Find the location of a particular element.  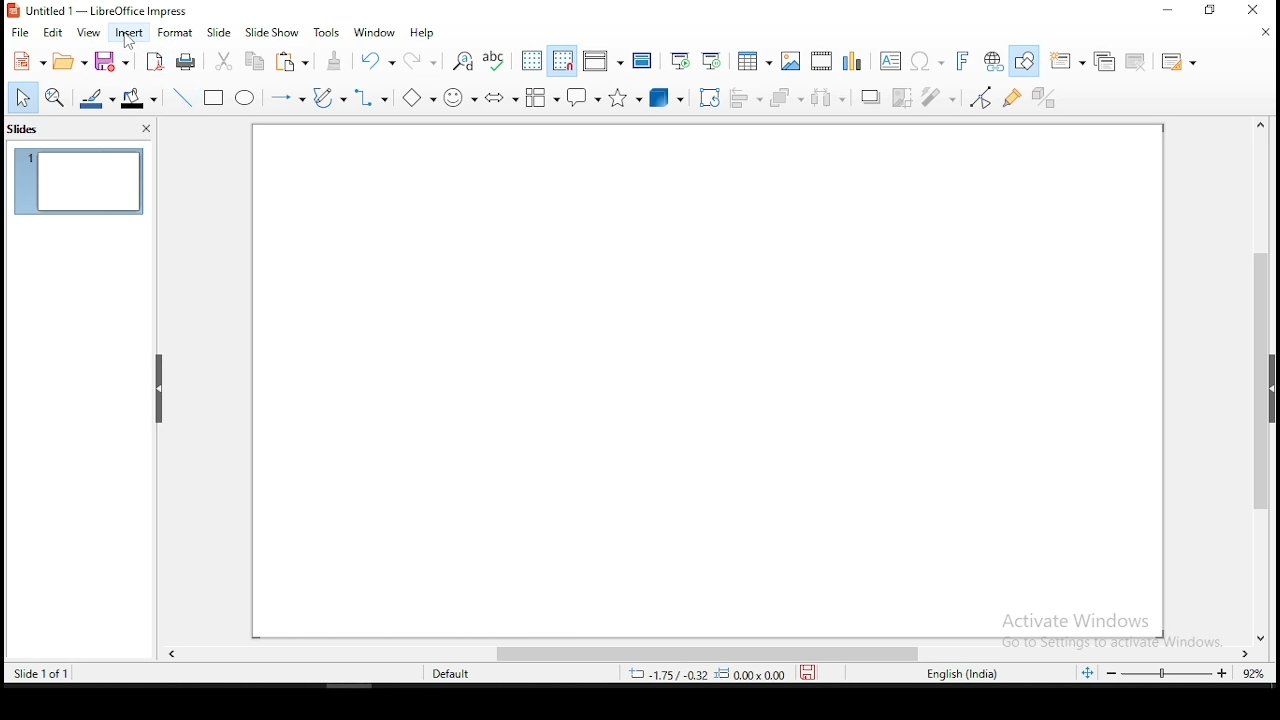

redo is located at coordinates (424, 61).